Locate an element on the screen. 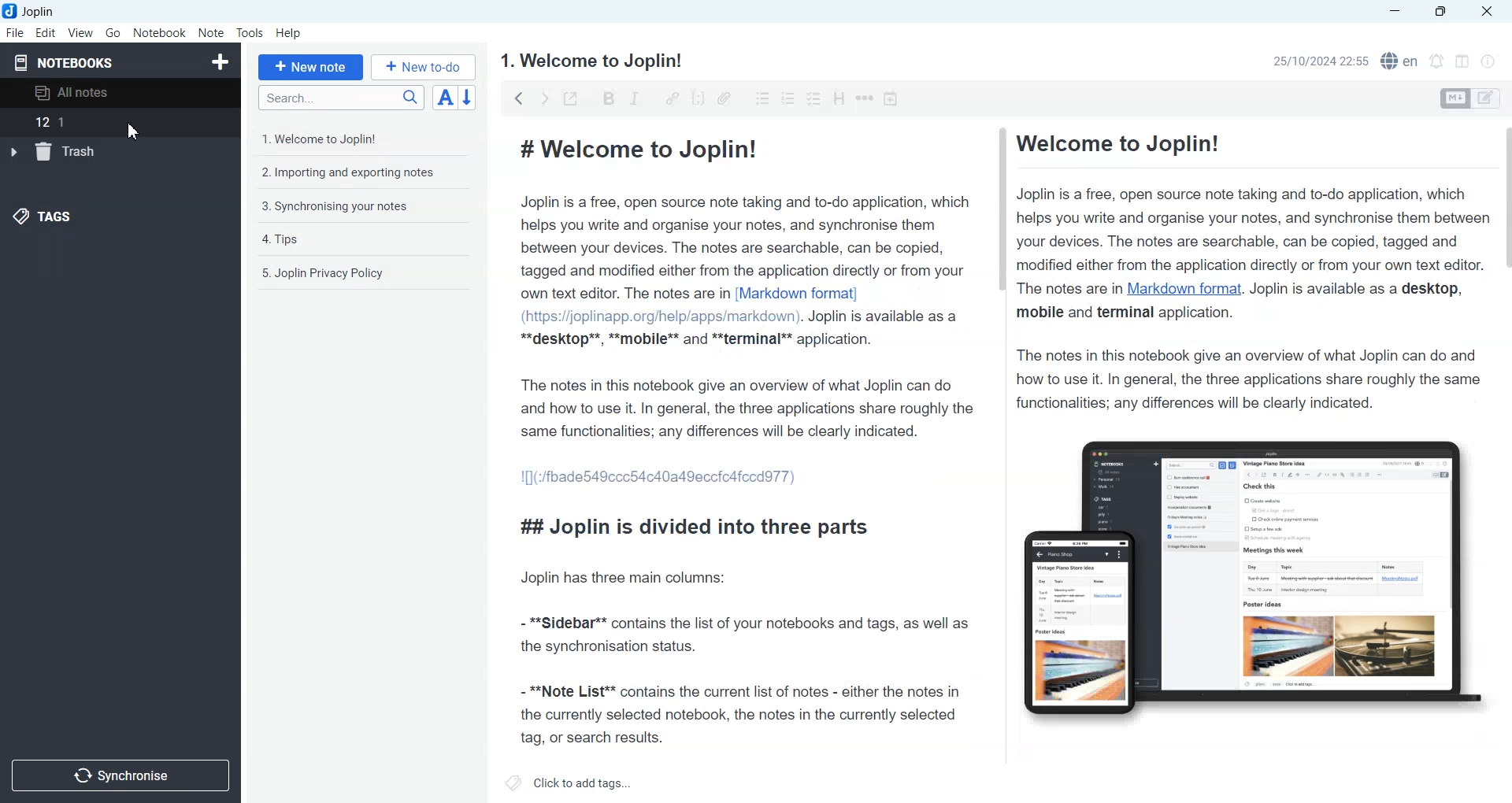  Toggle editors is located at coordinates (1455, 100).